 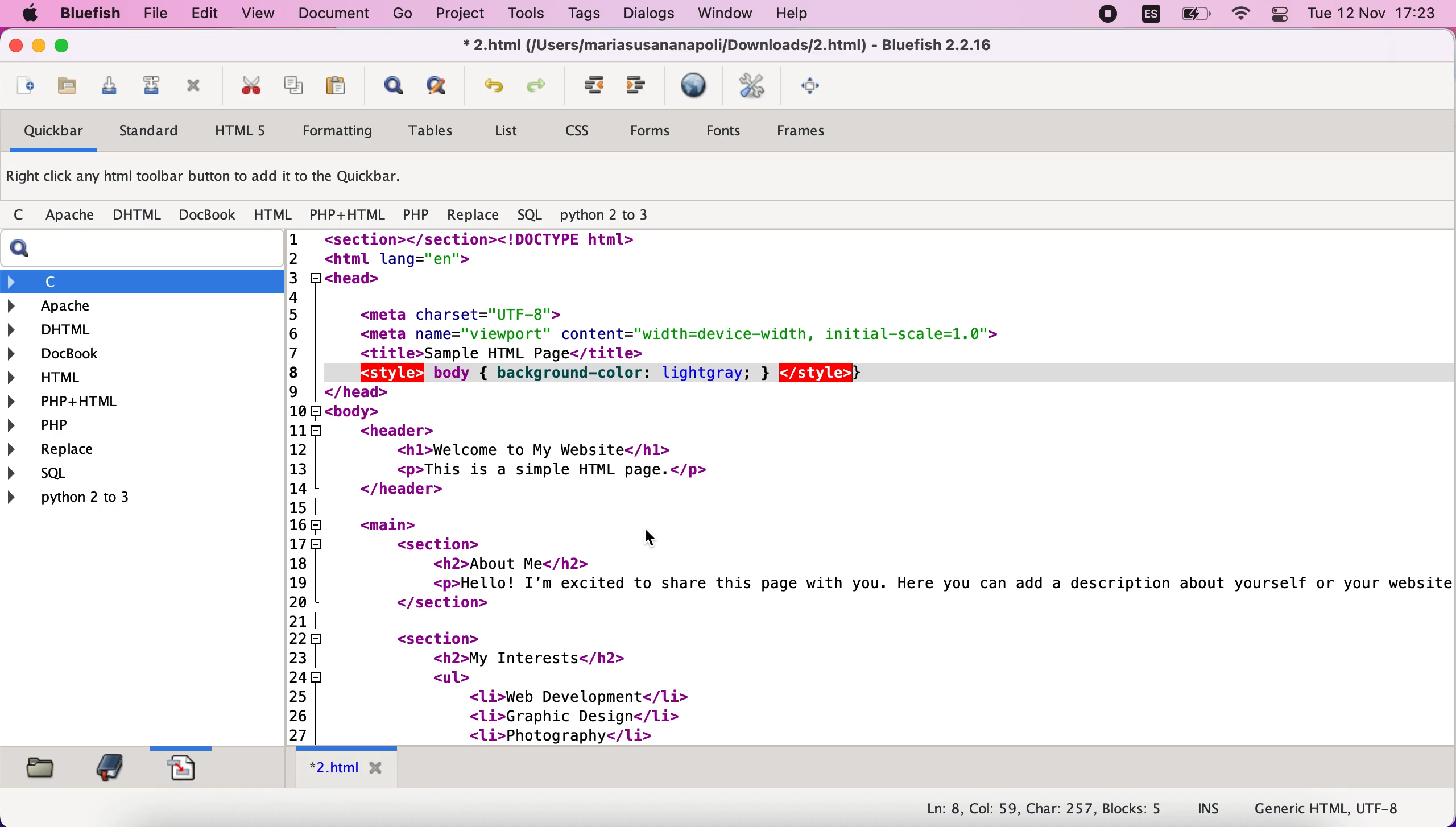 I want to click on php, so click(x=417, y=214).